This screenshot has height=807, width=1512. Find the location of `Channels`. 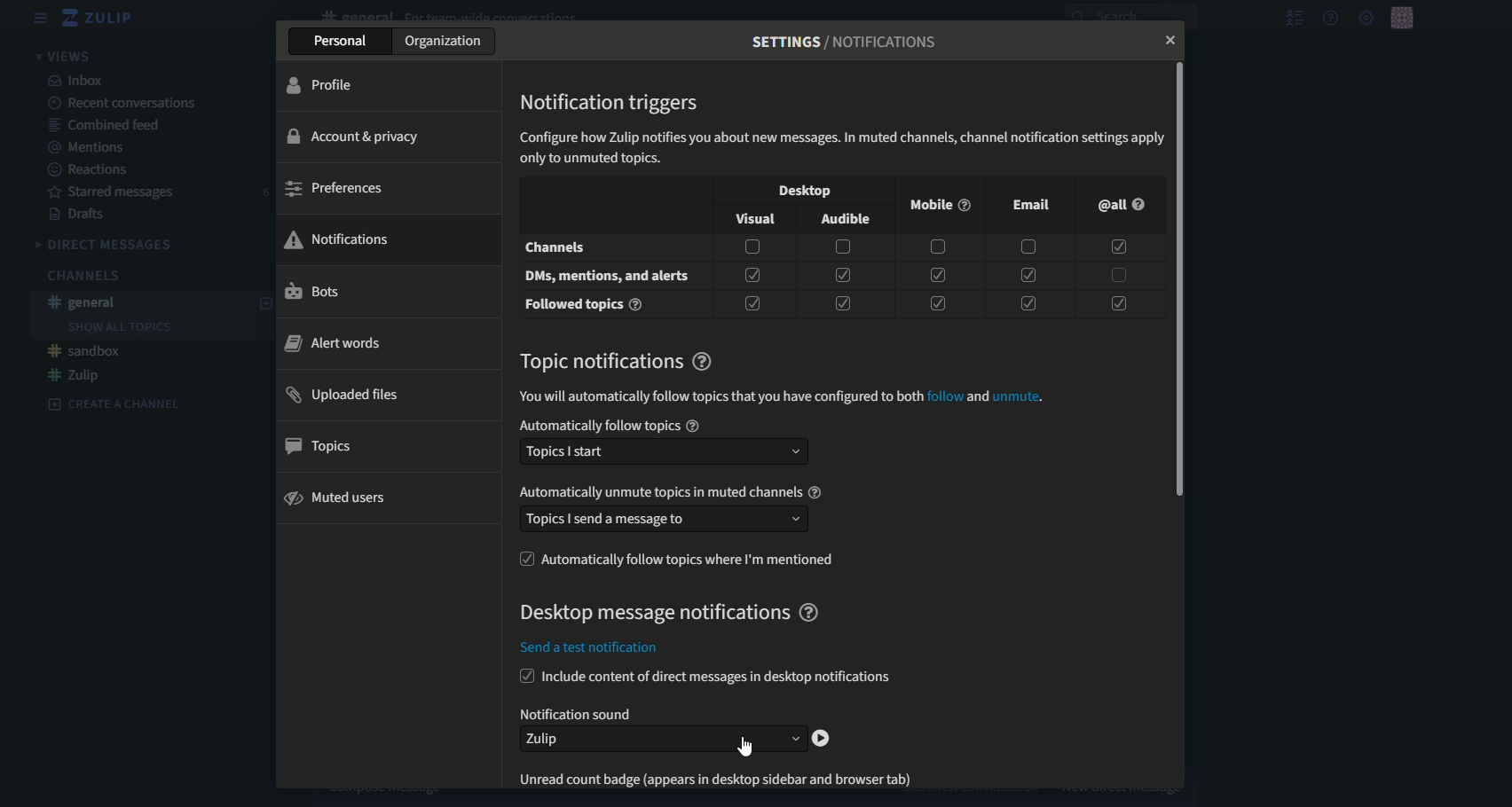

Channels is located at coordinates (82, 276).